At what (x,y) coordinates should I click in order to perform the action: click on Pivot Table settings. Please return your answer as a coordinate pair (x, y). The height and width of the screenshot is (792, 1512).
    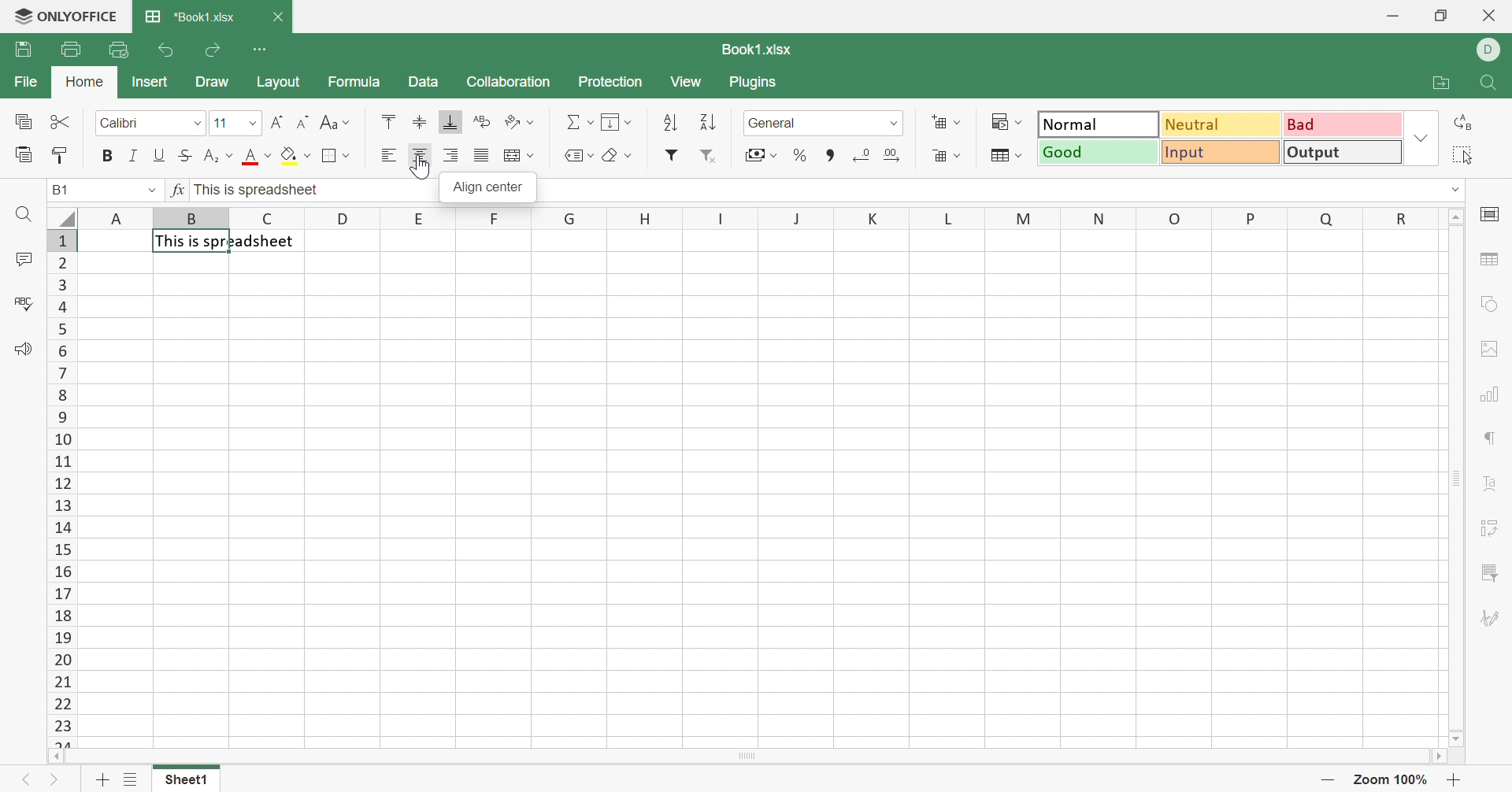
    Looking at the image, I should click on (1488, 531).